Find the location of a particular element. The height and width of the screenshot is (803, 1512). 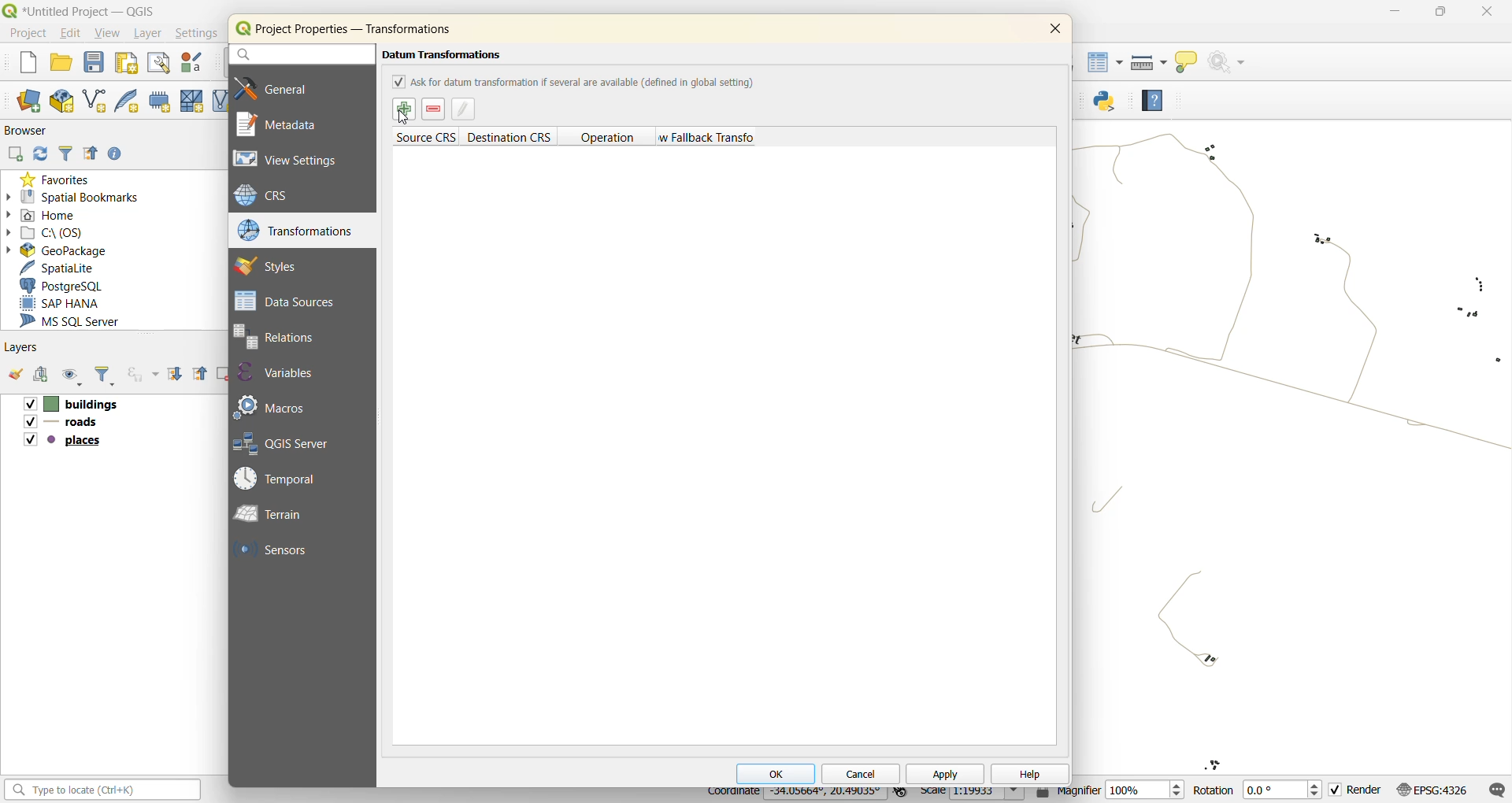

temporal is located at coordinates (282, 479).